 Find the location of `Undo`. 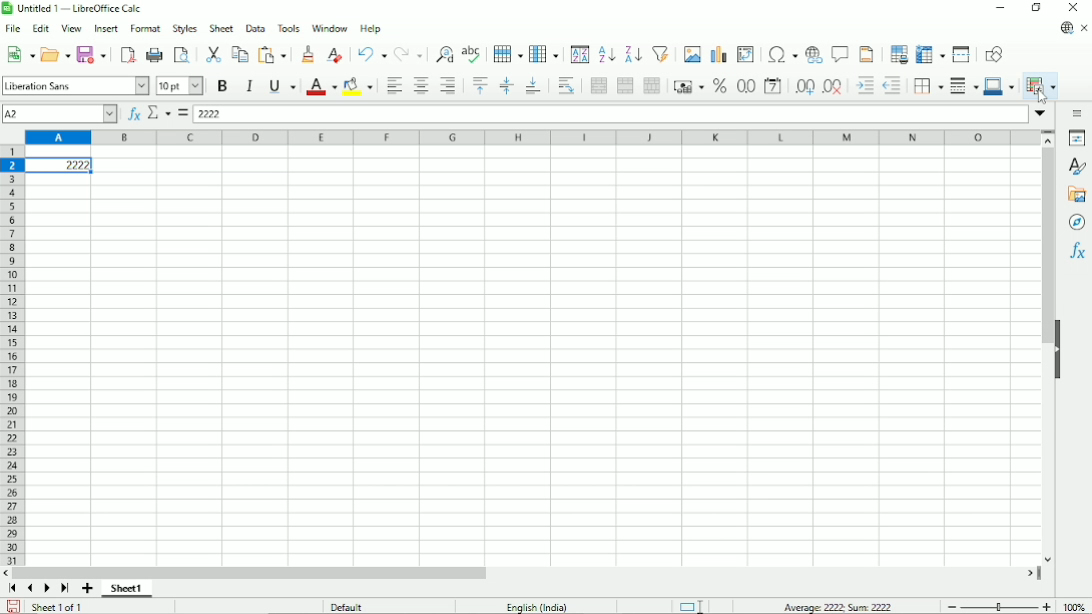

Undo is located at coordinates (371, 53).